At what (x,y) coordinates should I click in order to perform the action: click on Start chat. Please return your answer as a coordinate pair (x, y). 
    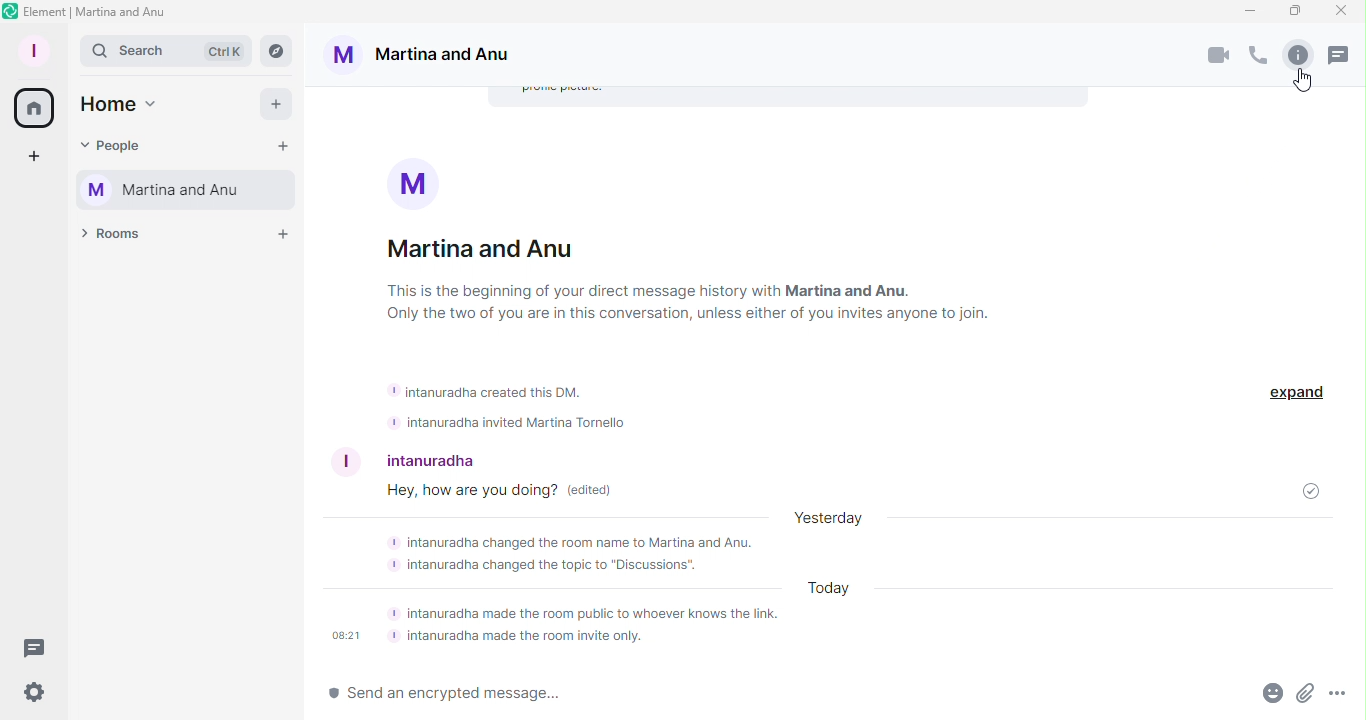
    Looking at the image, I should click on (286, 147).